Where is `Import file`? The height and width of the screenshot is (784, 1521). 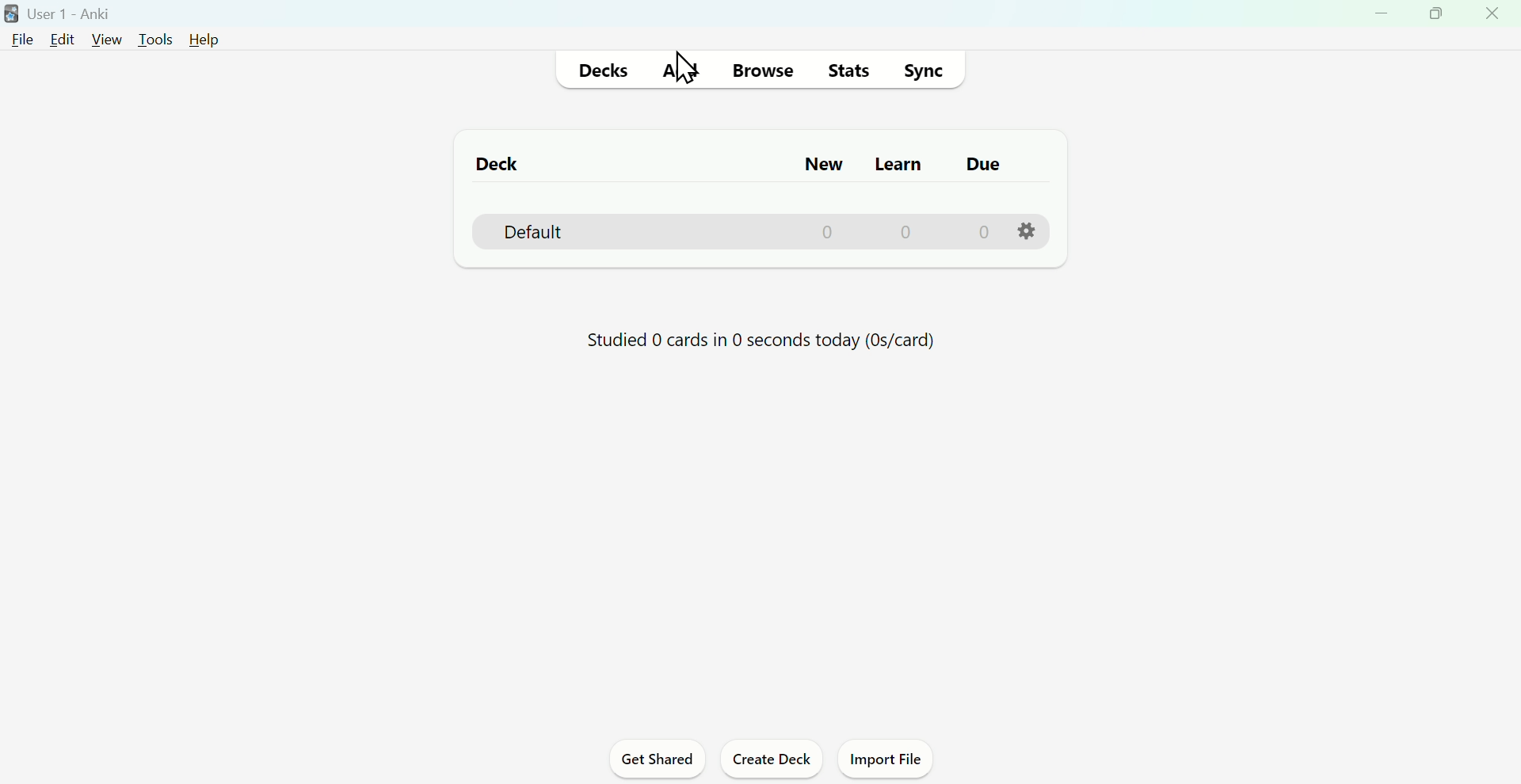
Import file is located at coordinates (885, 758).